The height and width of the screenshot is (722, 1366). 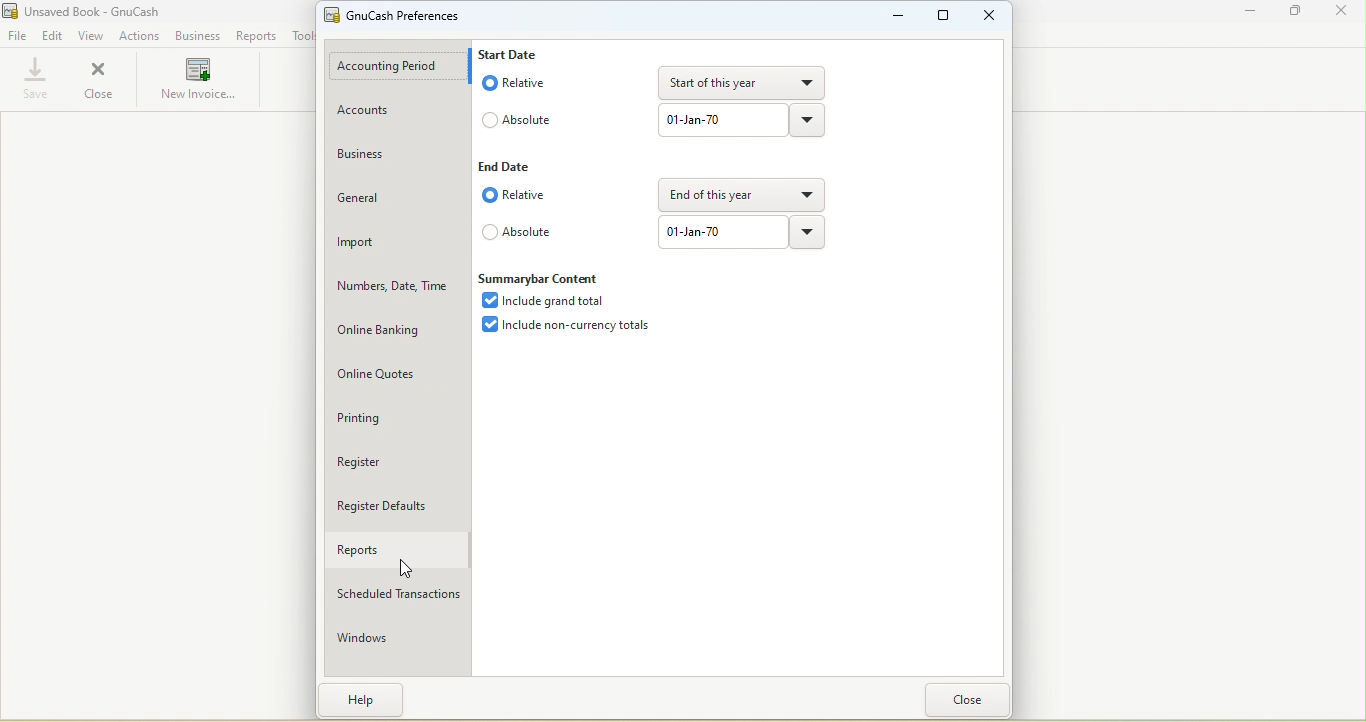 I want to click on help, so click(x=367, y=699).